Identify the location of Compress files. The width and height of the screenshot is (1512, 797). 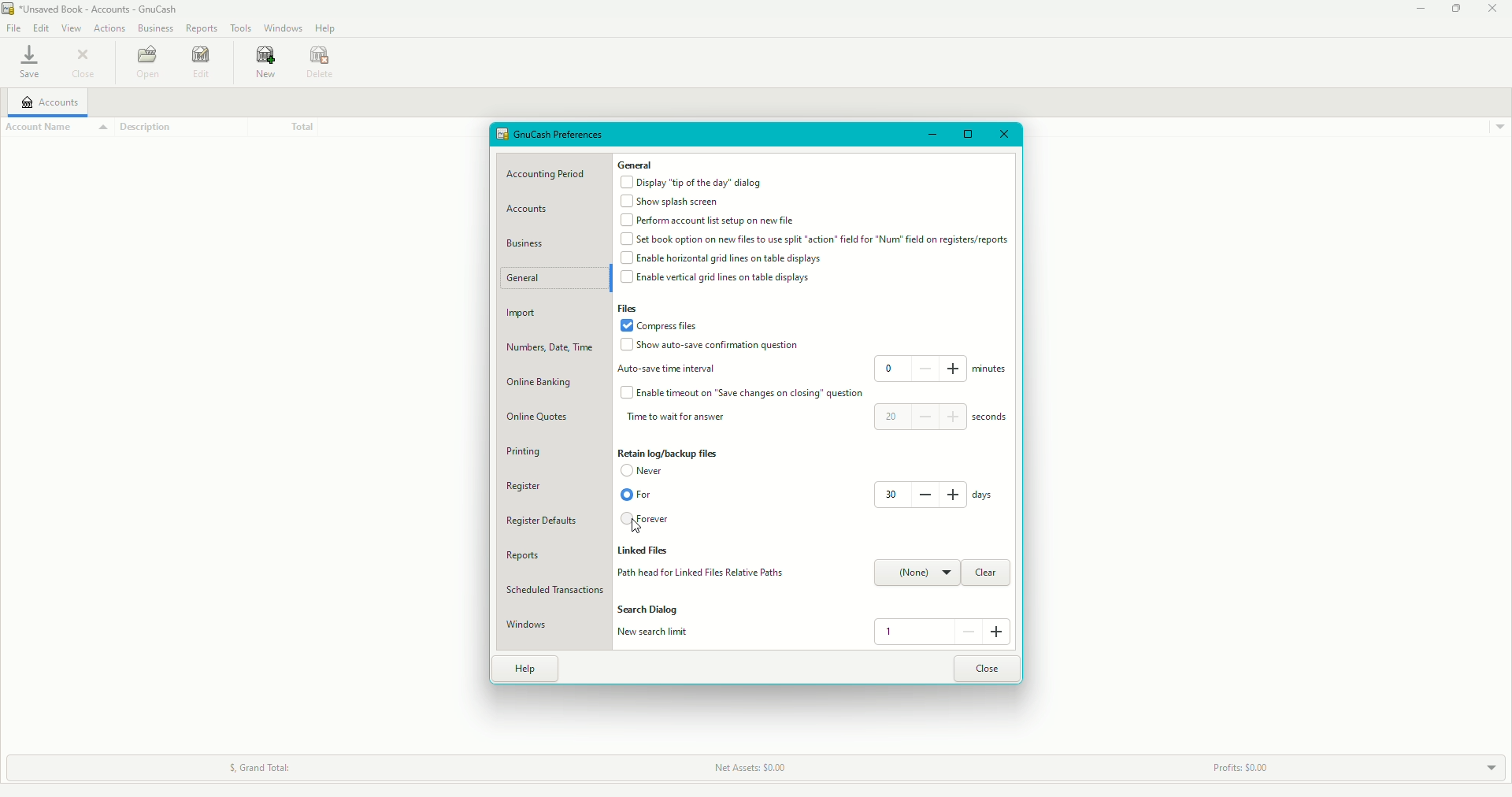
(664, 325).